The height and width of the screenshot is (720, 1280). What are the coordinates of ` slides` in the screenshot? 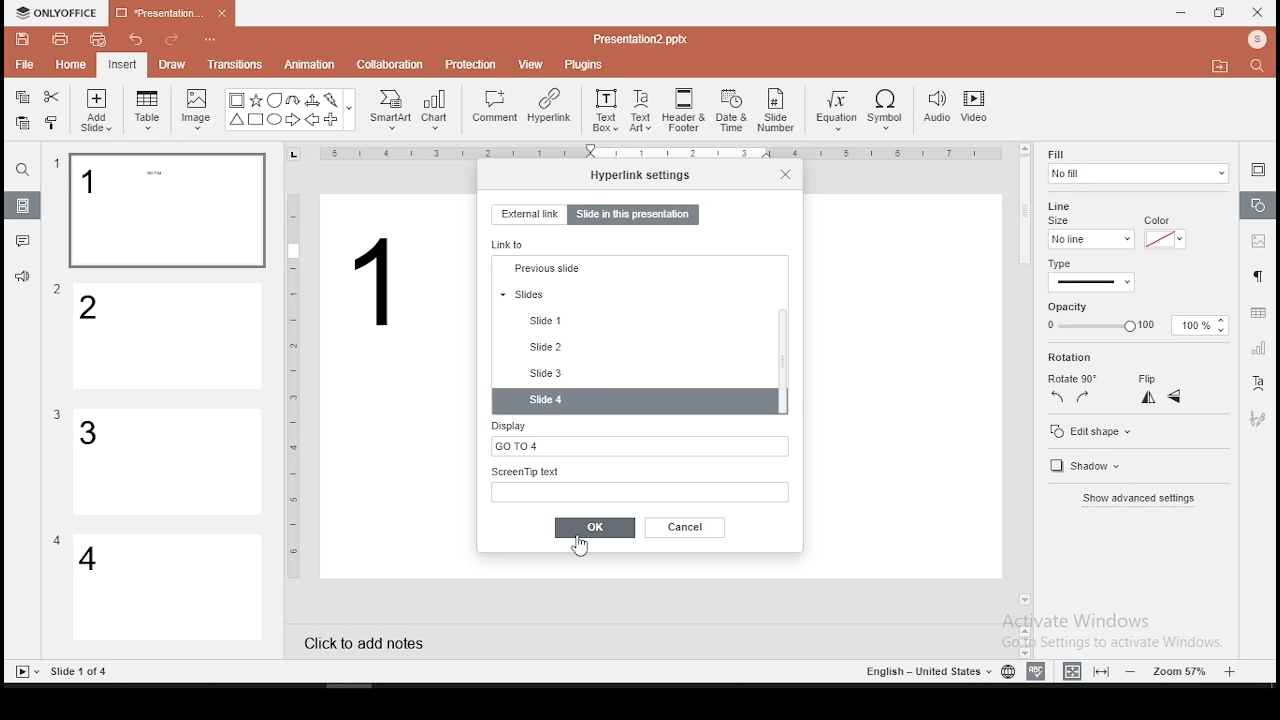 It's located at (633, 373).